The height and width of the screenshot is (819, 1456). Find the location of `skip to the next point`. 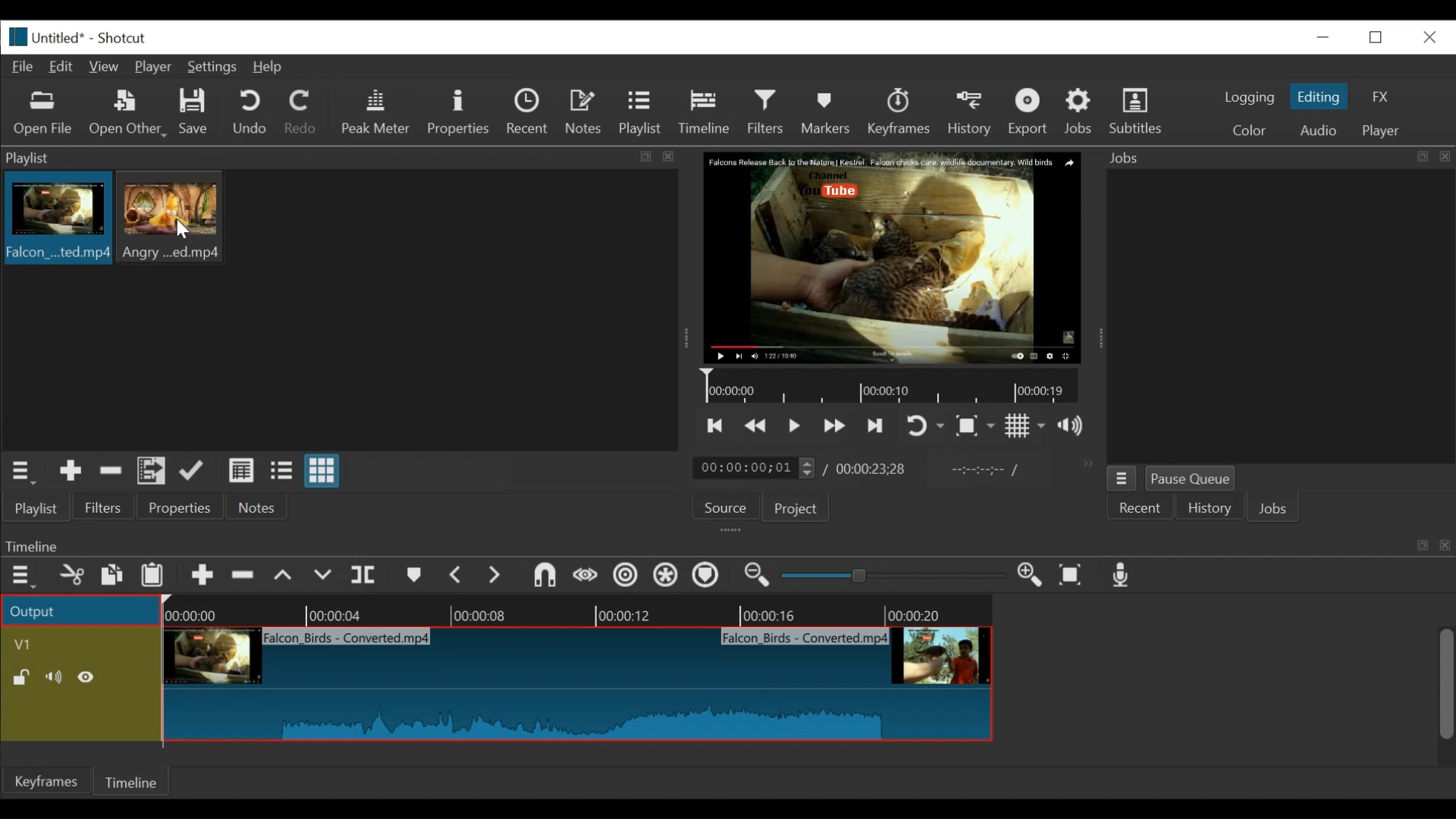

skip to the next point is located at coordinates (877, 425).